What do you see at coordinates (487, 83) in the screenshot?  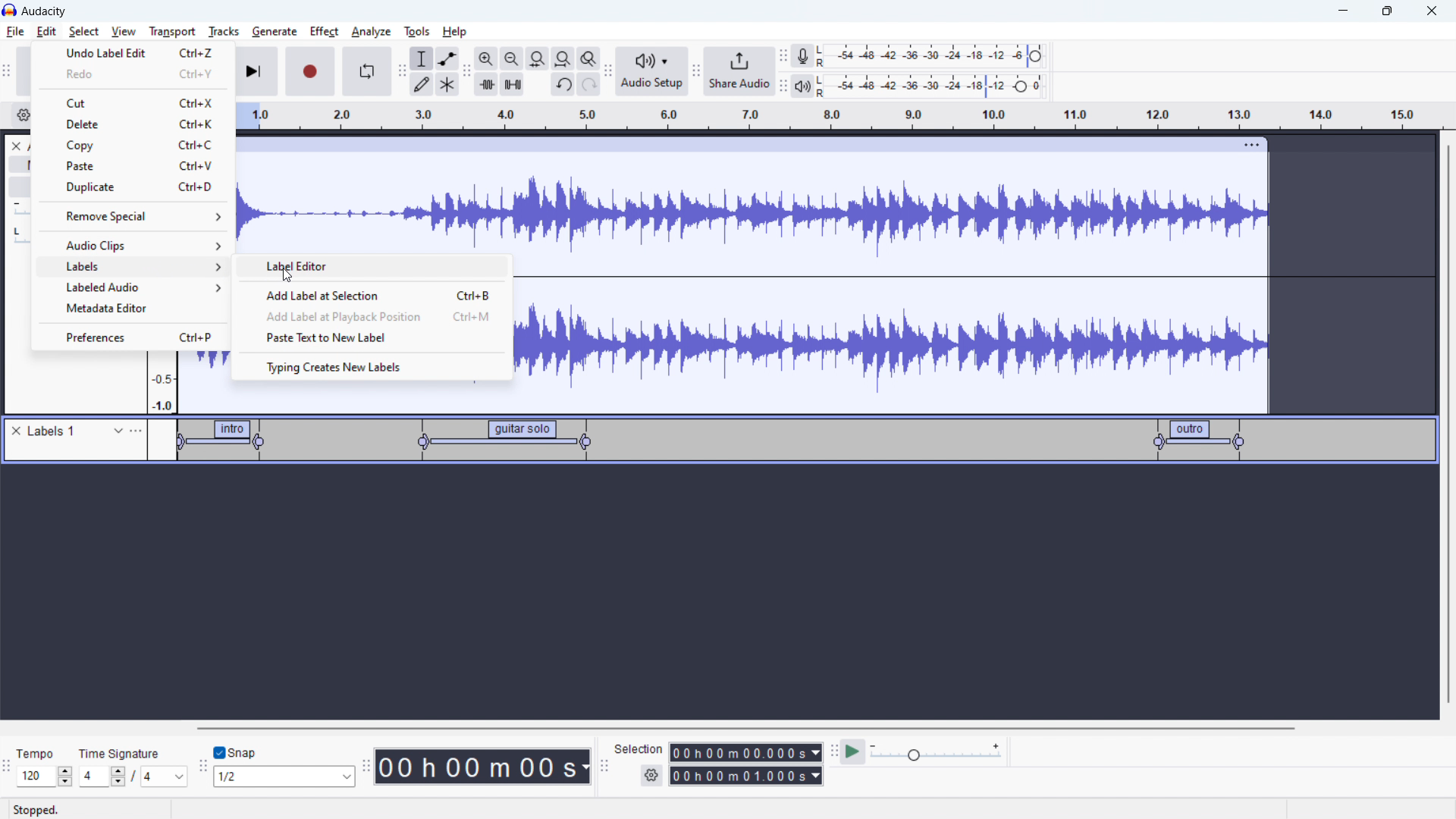 I see `trim audio outside selection` at bounding box center [487, 83].